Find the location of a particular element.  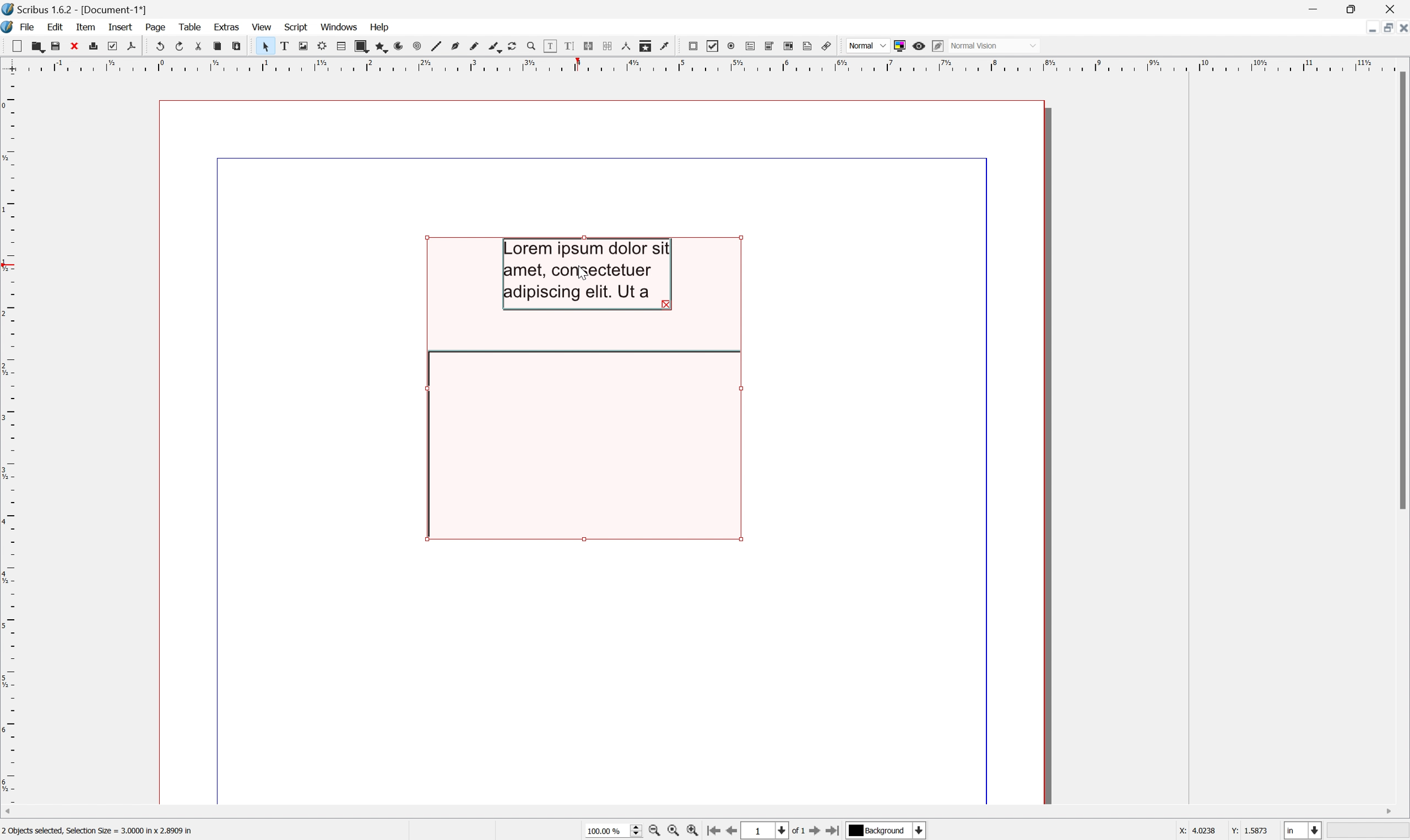

Normal is located at coordinates (866, 44).